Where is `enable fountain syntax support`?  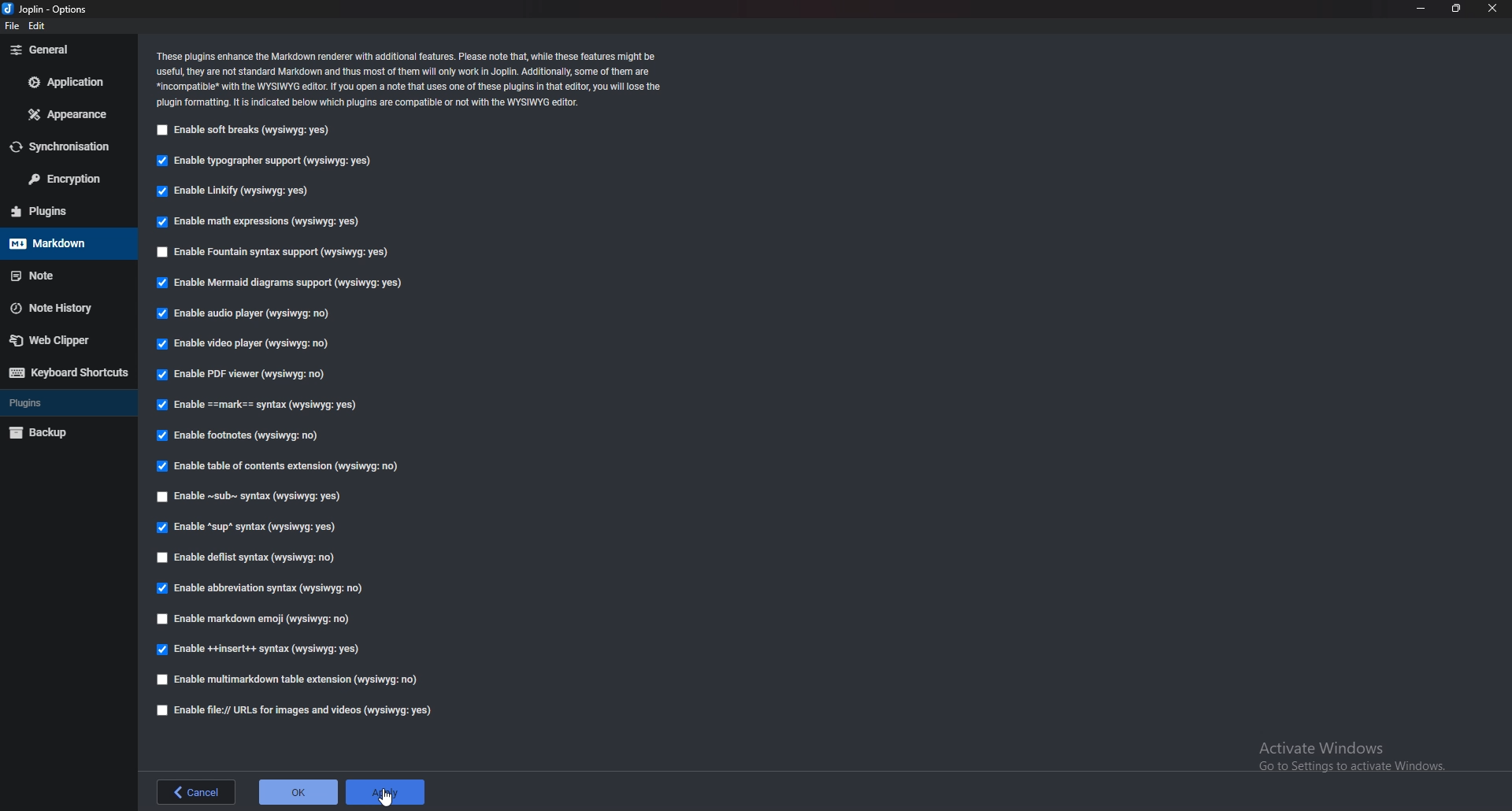 enable fountain syntax support is located at coordinates (279, 252).